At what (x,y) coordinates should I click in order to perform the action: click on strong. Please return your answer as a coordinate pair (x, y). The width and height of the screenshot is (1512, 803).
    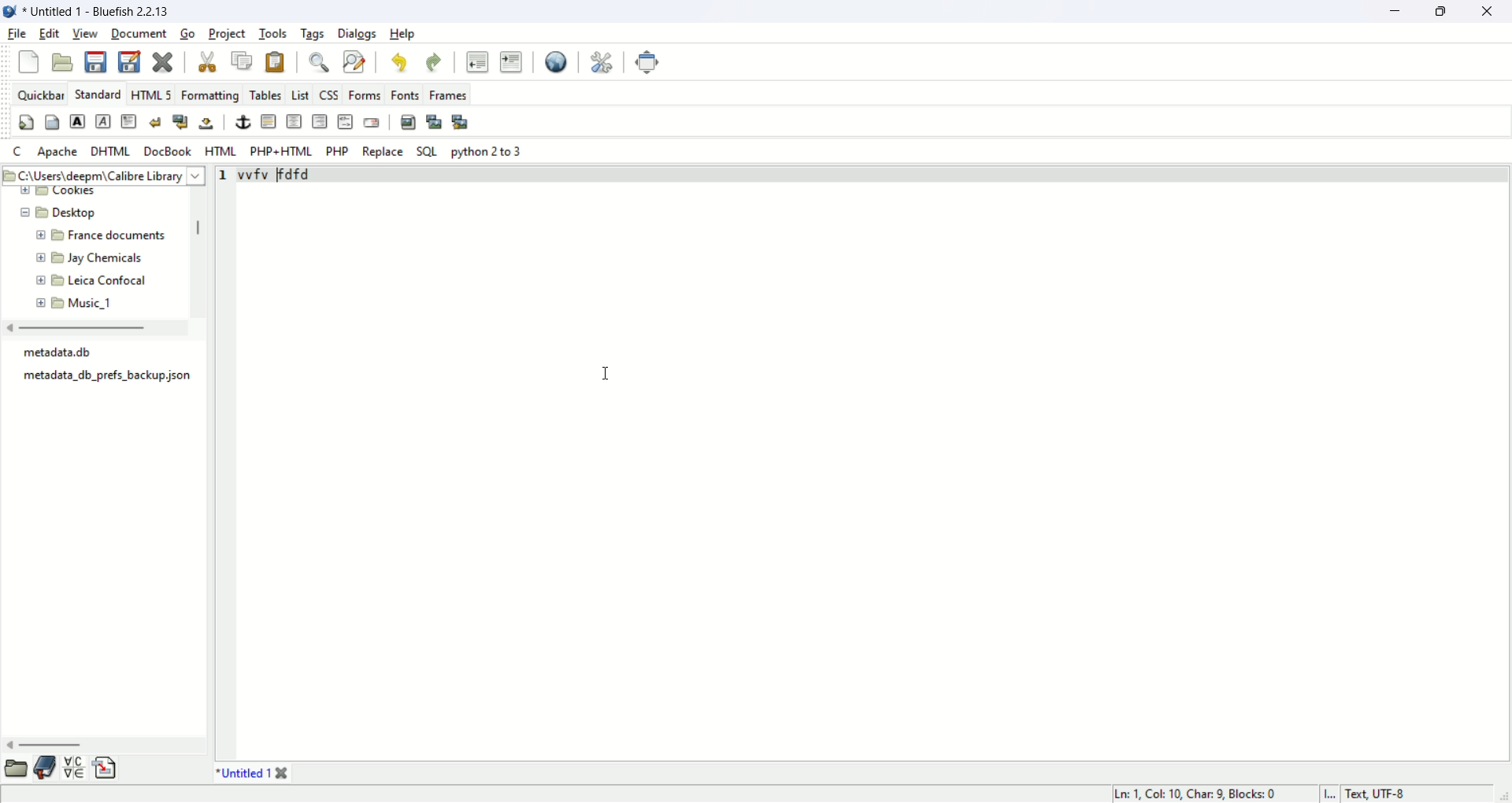
    Looking at the image, I should click on (78, 122).